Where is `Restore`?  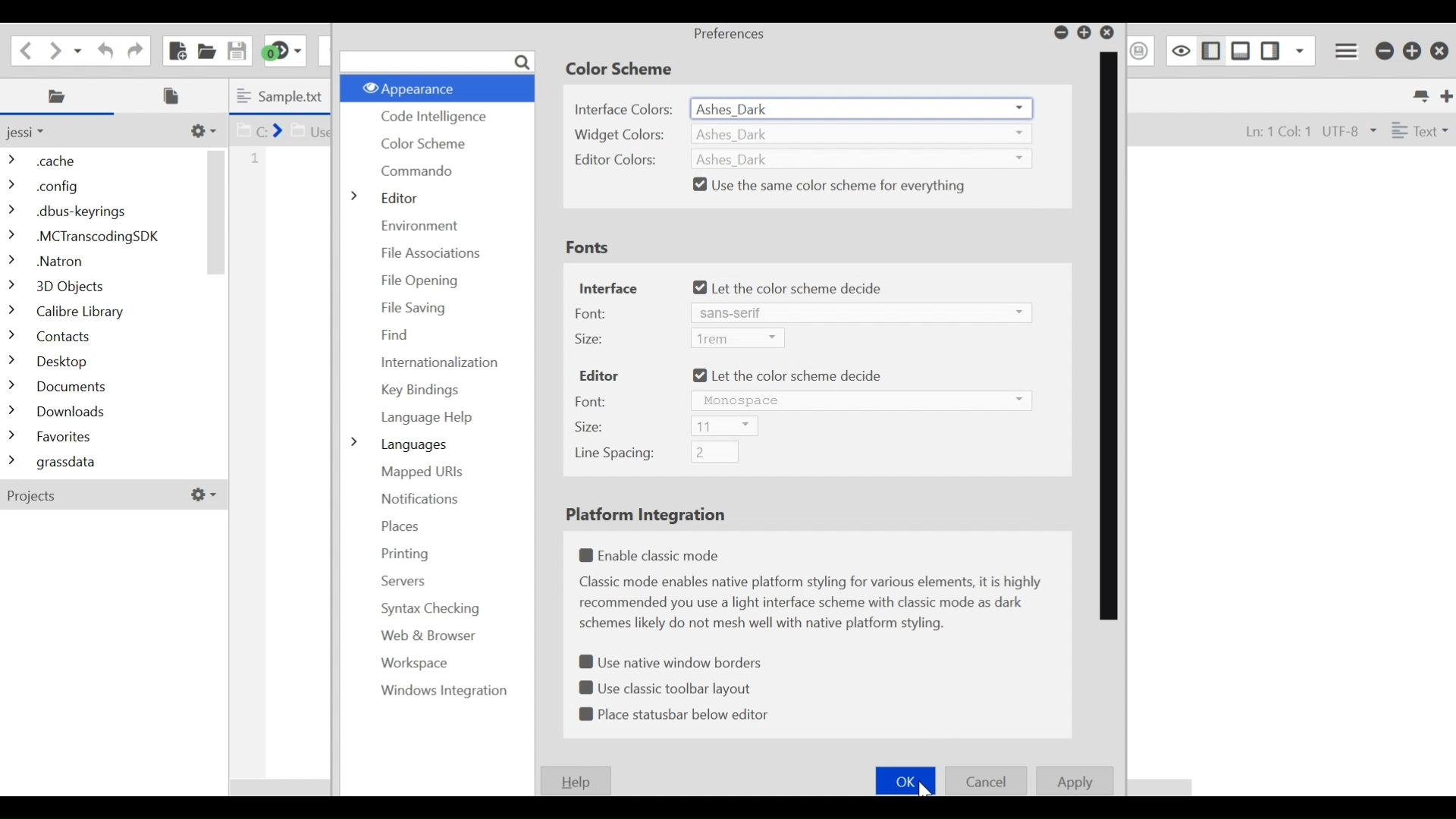
Restore is located at coordinates (1413, 51).